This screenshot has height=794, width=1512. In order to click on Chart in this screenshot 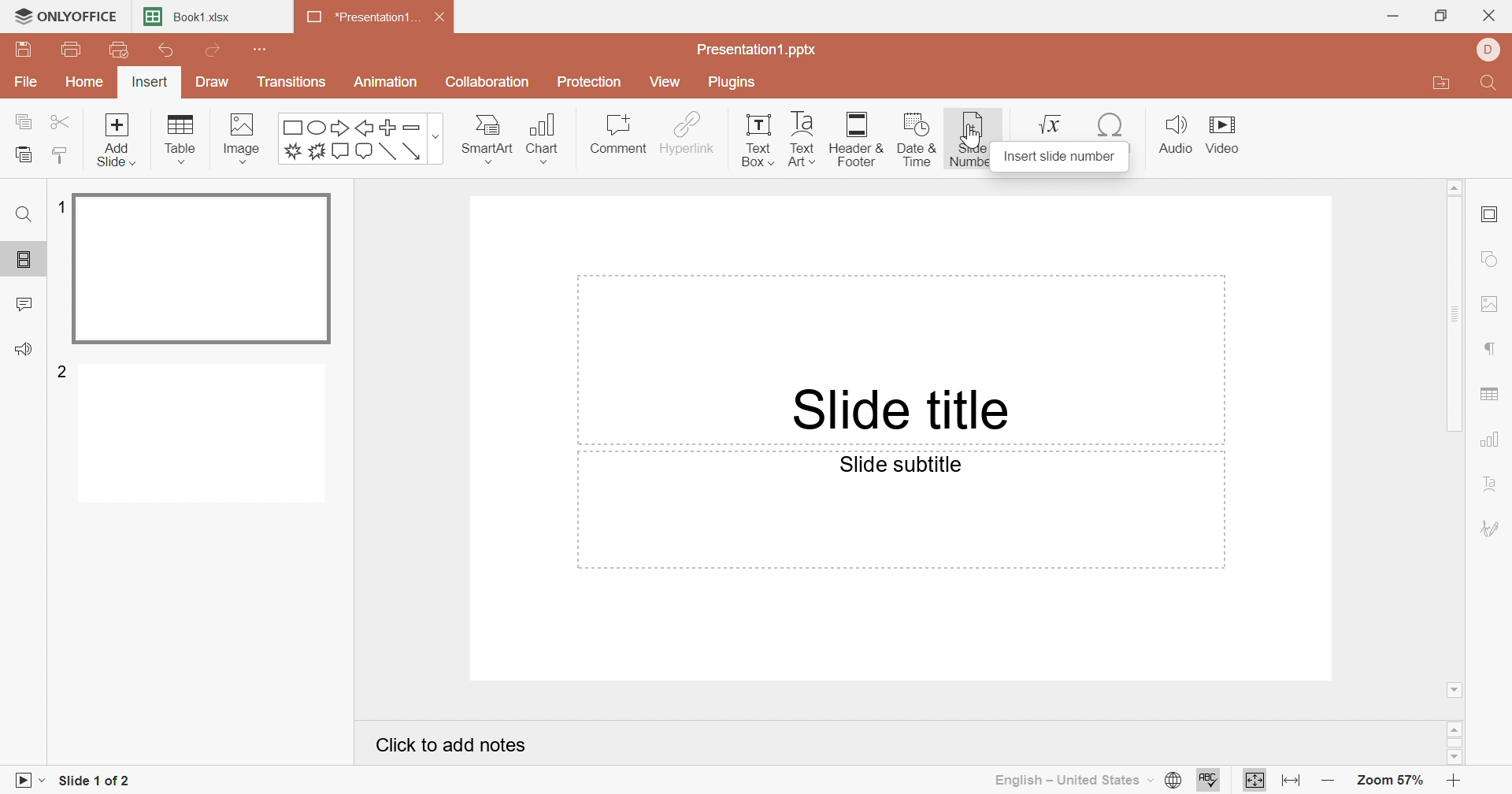, I will do `click(549, 139)`.